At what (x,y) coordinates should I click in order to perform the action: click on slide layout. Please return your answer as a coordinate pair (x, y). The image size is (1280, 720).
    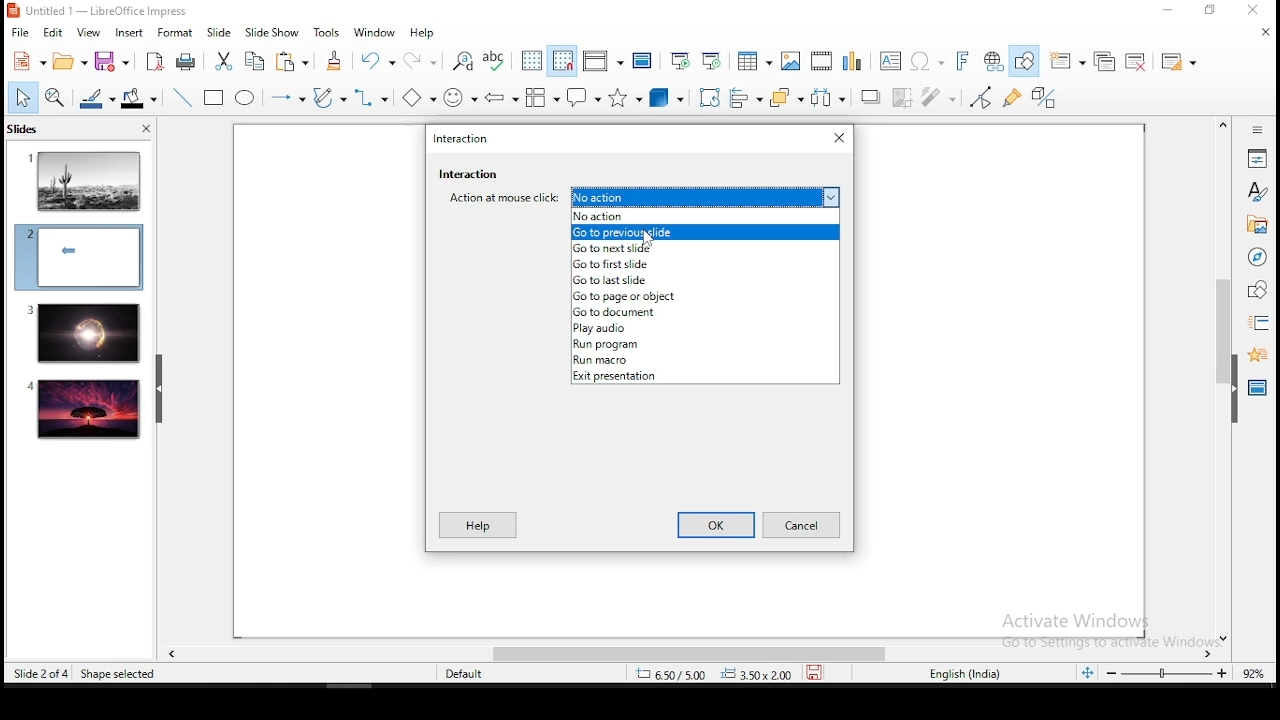
    Looking at the image, I should click on (1176, 62).